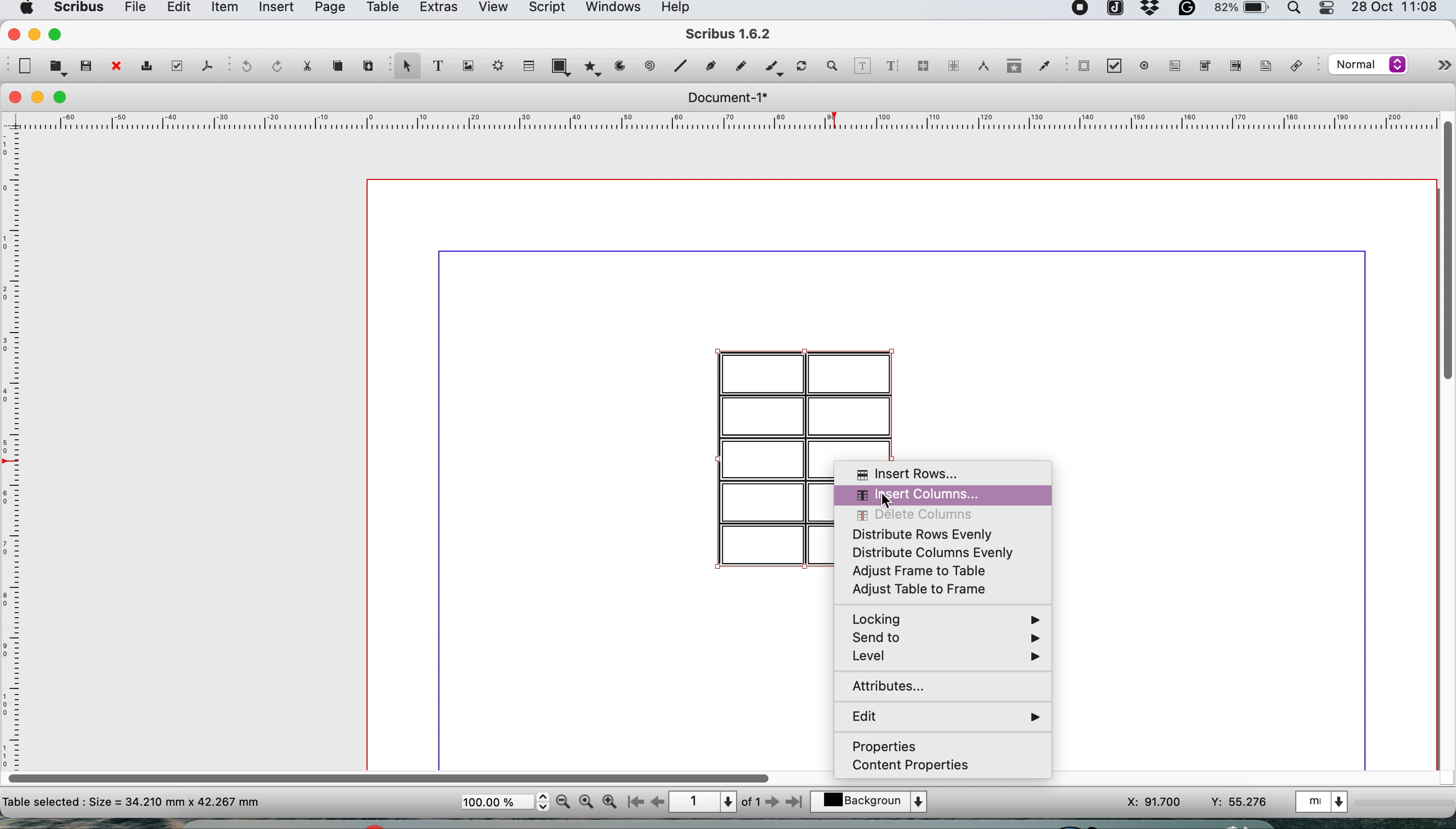  Describe the element at coordinates (14, 437) in the screenshot. I see `vertical scale` at that location.